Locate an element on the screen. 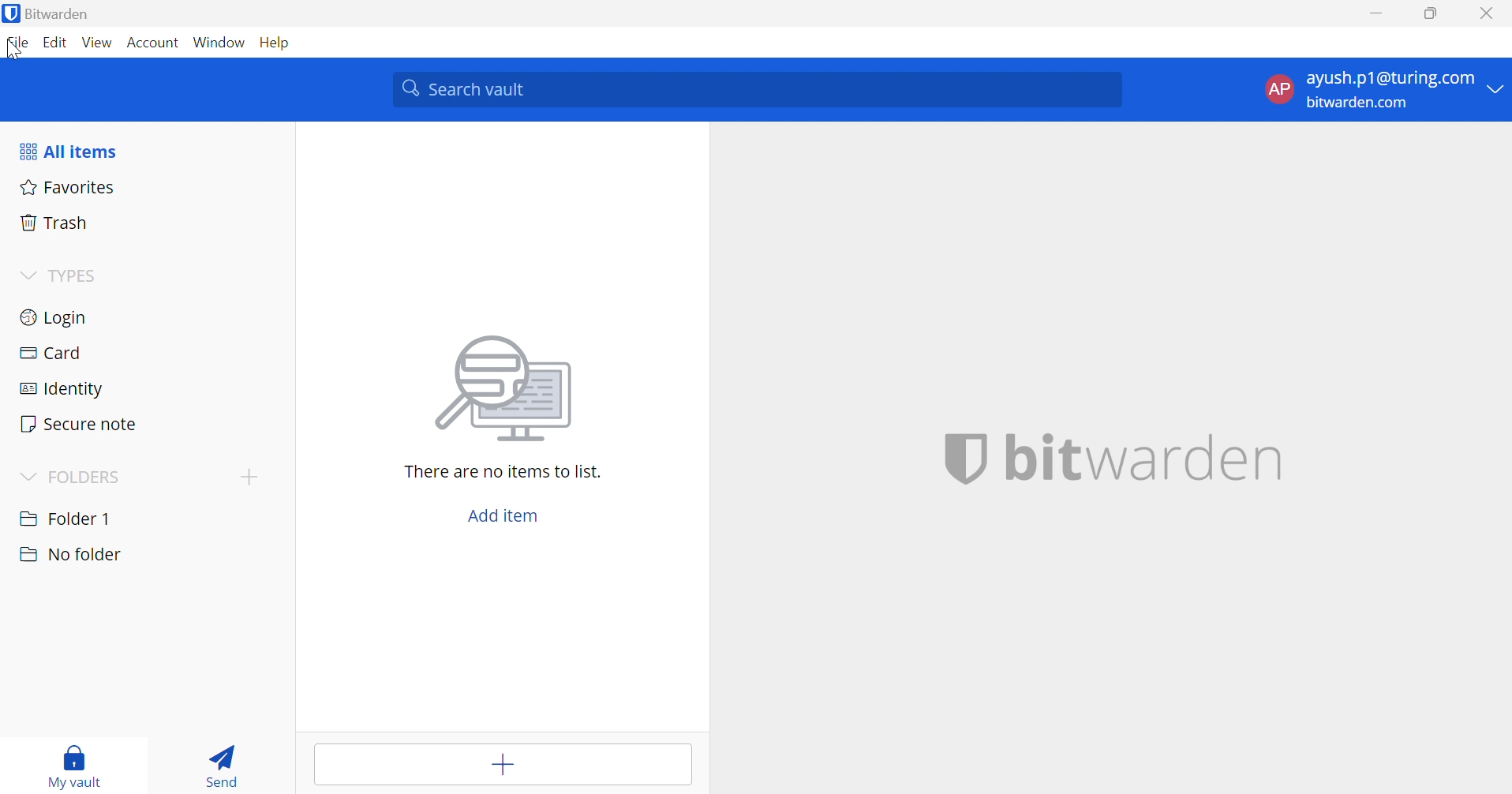 The height and width of the screenshot is (794, 1512). Card is located at coordinates (53, 354).